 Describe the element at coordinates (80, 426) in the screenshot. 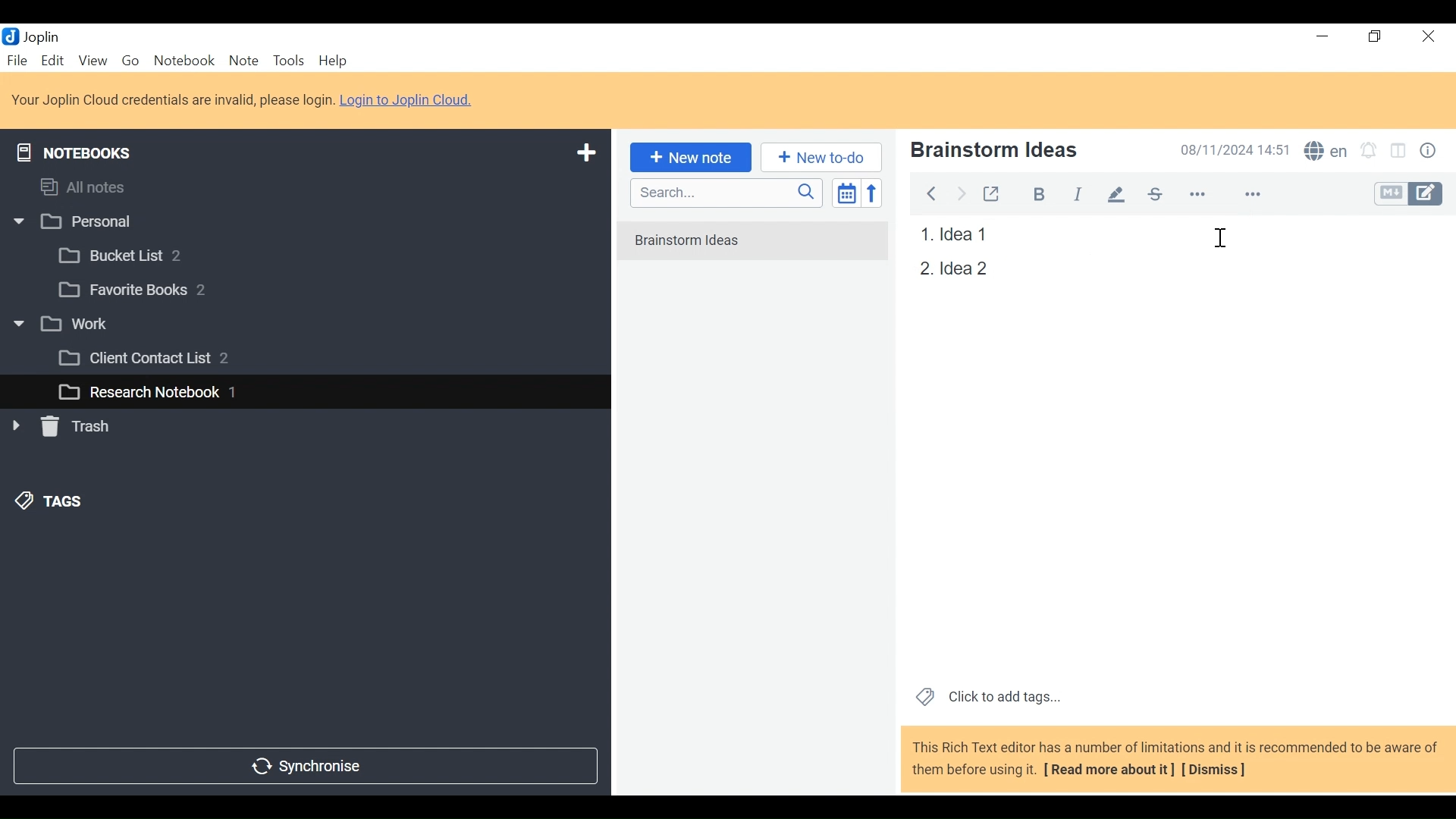

I see `» [ Trash` at that location.